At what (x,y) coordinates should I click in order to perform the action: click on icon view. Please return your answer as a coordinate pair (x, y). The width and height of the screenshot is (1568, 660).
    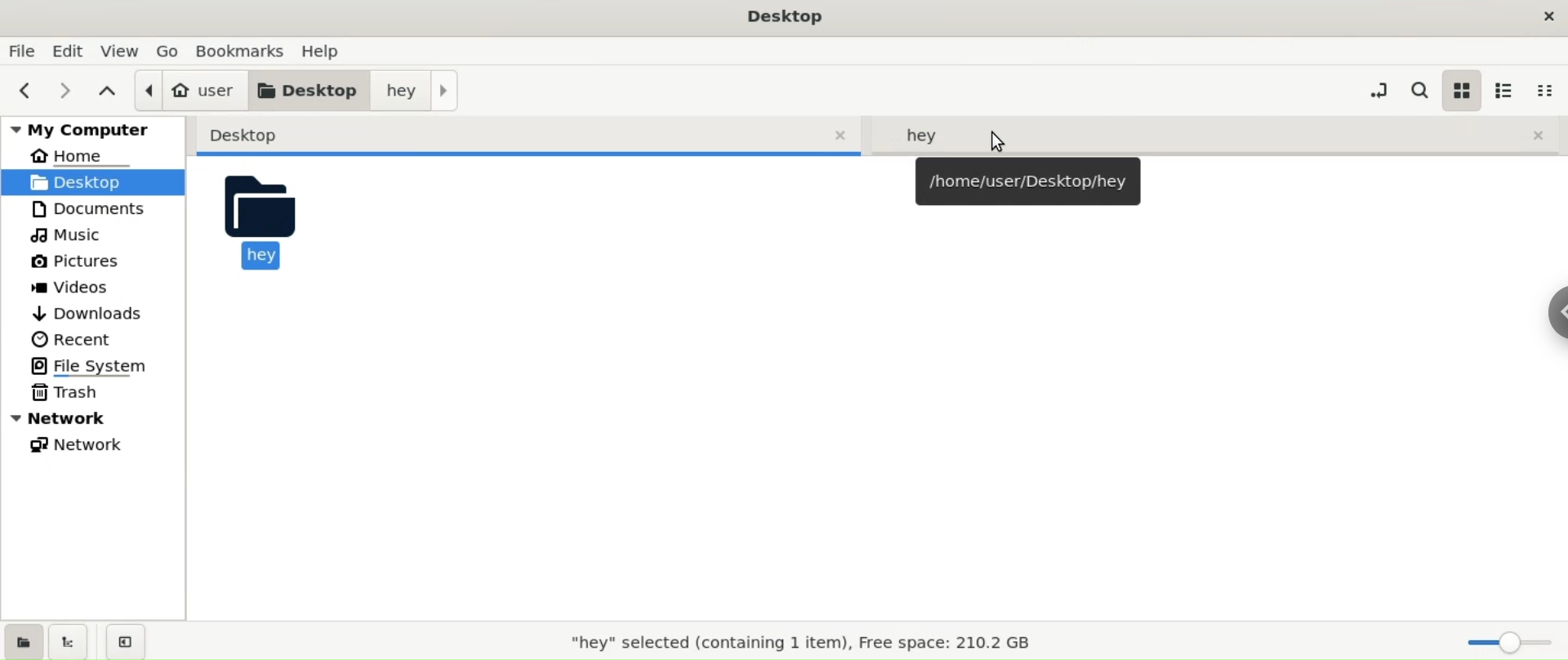
    Looking at the image, I should click on (1461, 90).